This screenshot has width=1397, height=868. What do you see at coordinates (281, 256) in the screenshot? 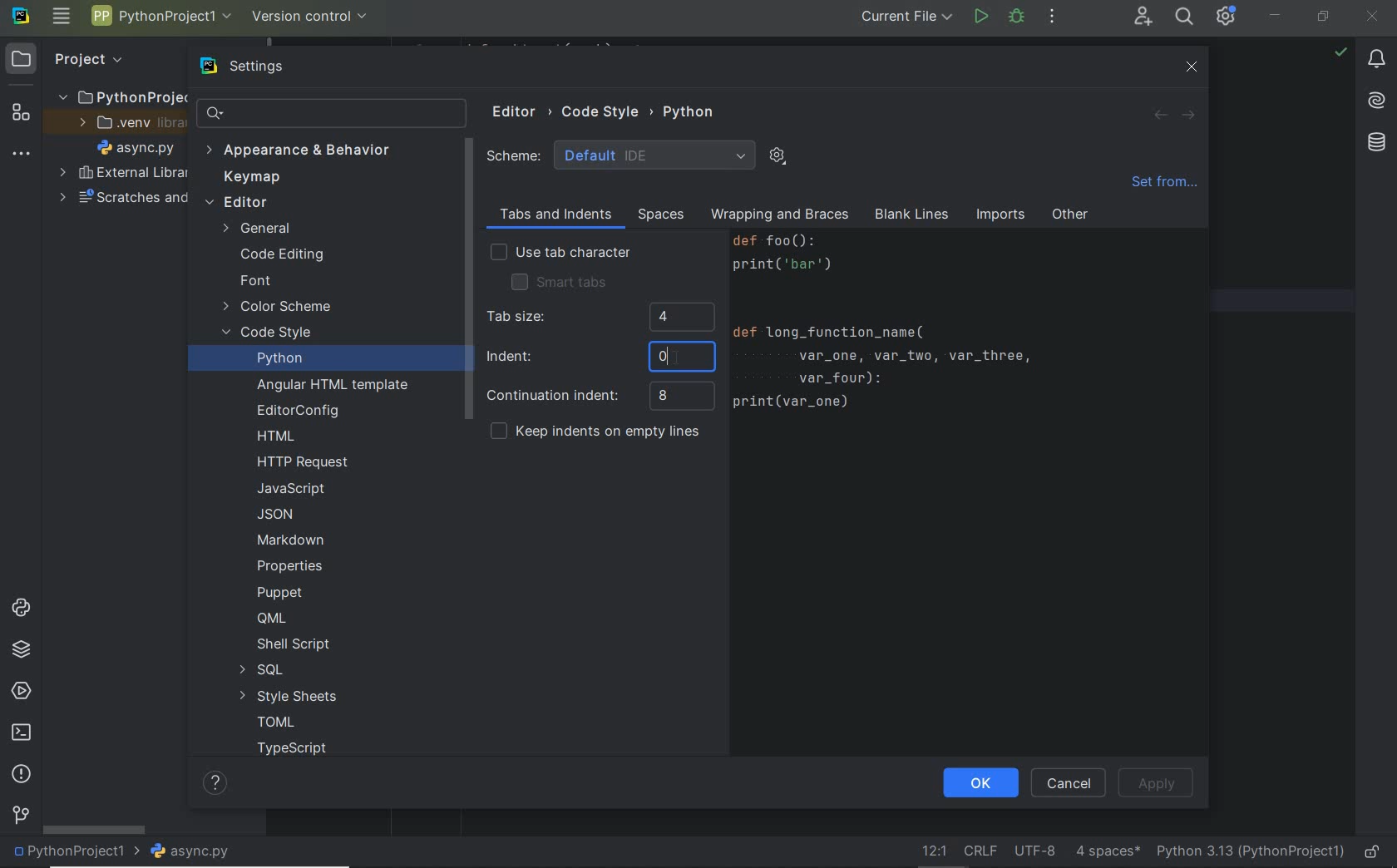
I see `code editing` at bounding box center [281, 256].